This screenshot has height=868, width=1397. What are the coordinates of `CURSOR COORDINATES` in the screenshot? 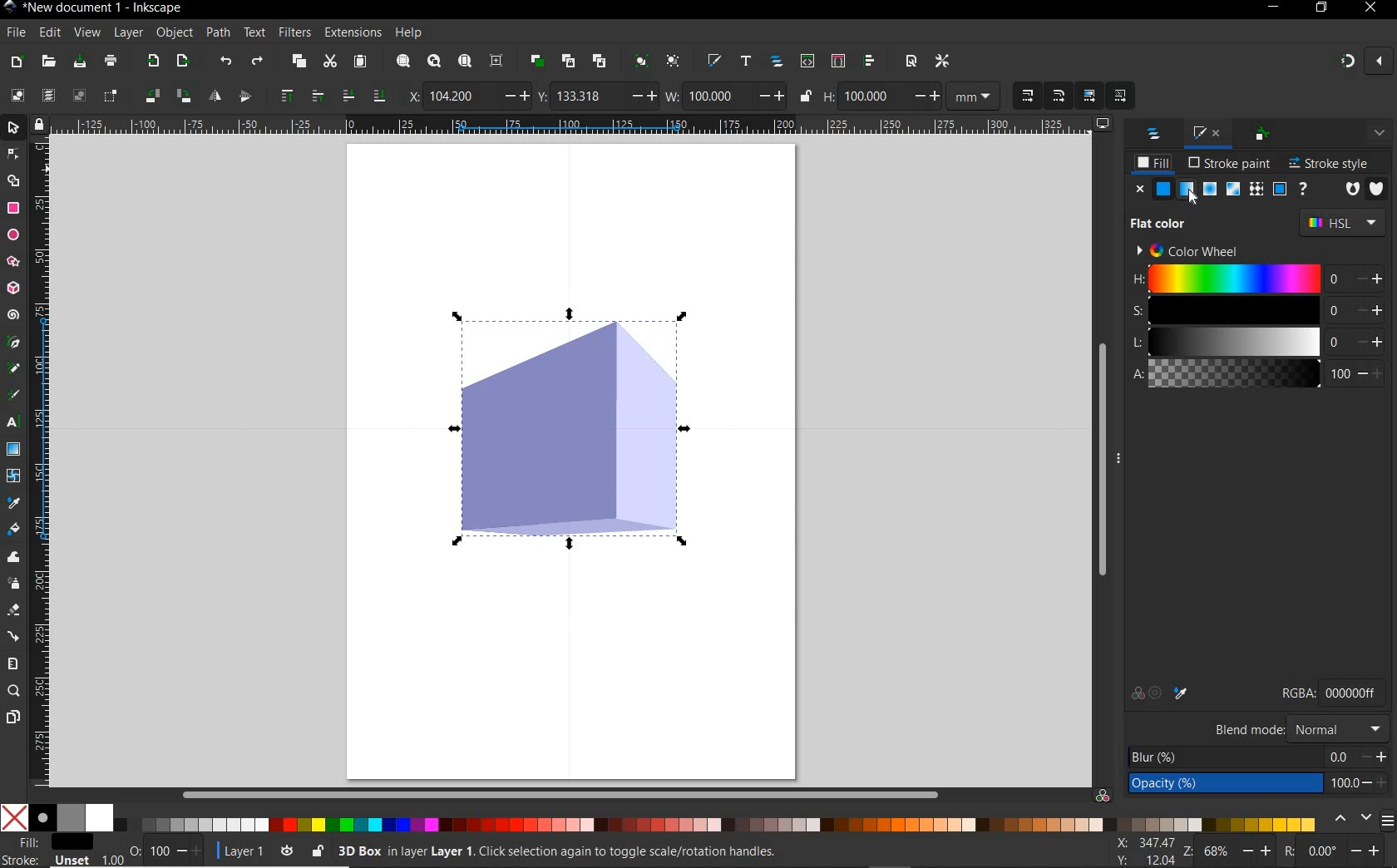 It's located at (1143, 850).